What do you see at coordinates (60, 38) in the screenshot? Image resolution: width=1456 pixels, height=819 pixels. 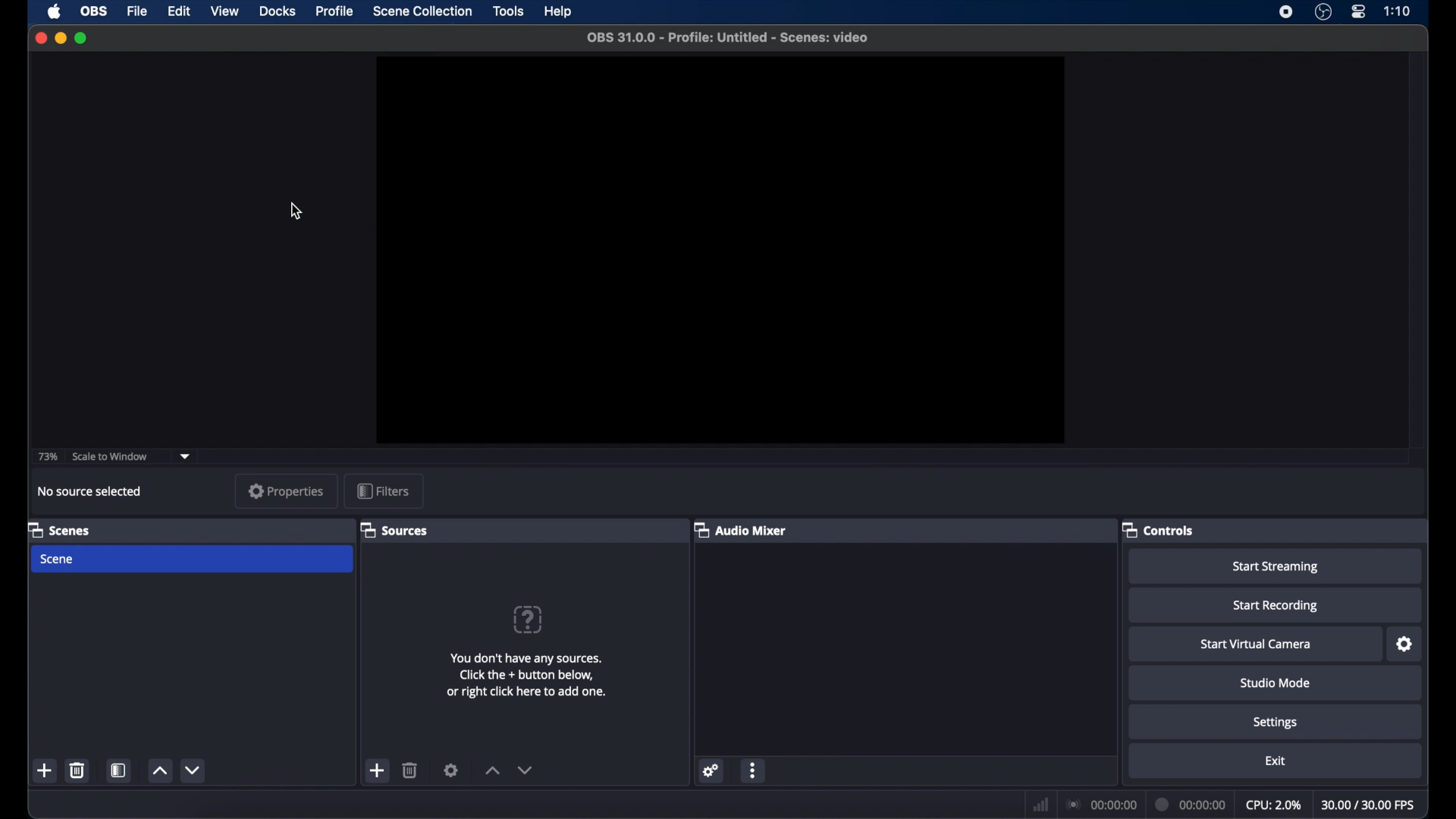 I see `minimize` at bounding box center [60, 38].